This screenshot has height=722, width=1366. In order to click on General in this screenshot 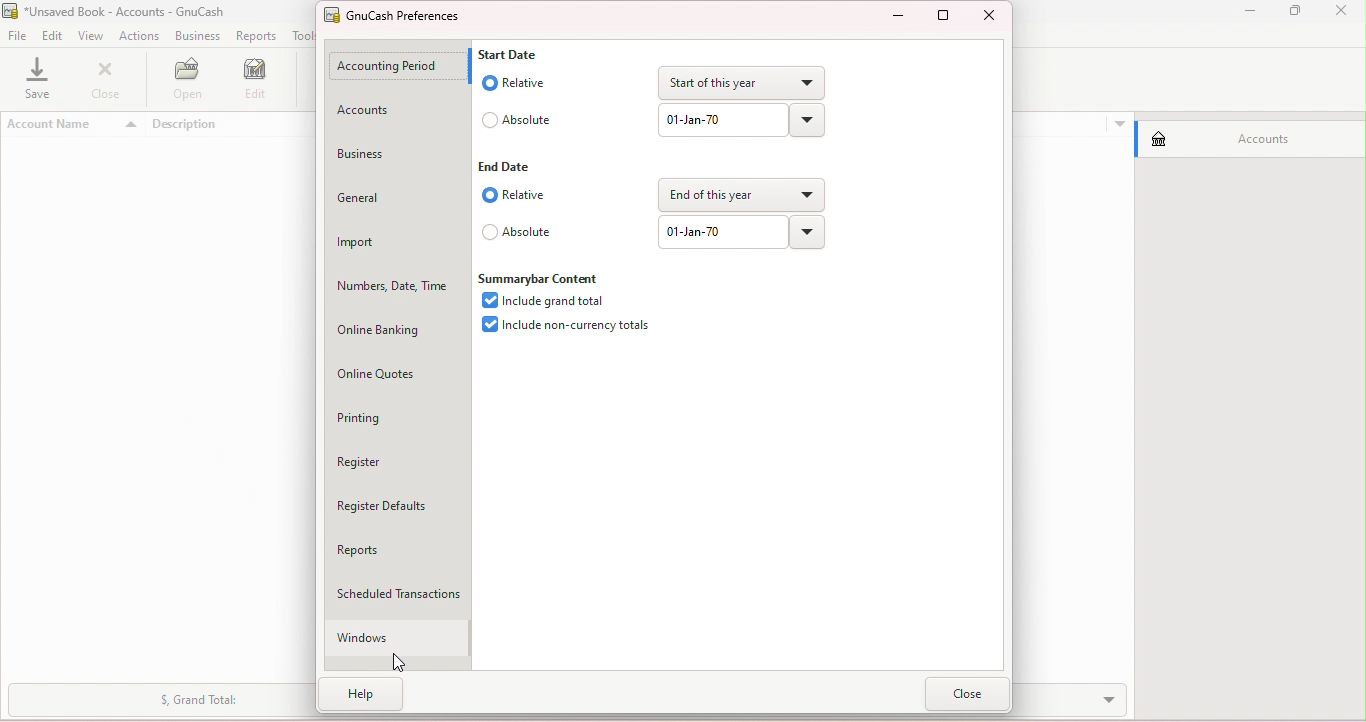, I will do `click(399, 194)`.